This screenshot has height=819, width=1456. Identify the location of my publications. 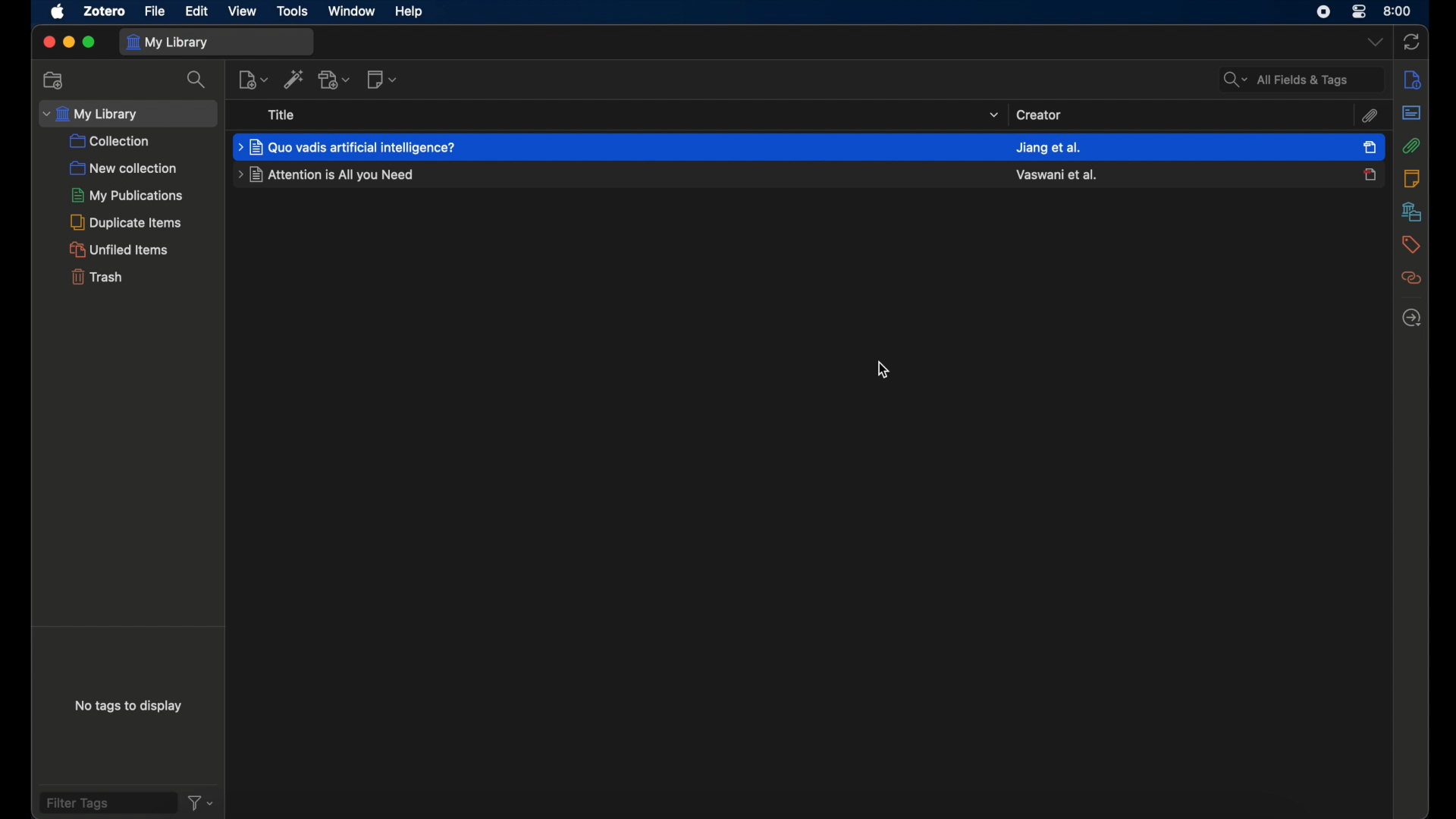
(128, 195).